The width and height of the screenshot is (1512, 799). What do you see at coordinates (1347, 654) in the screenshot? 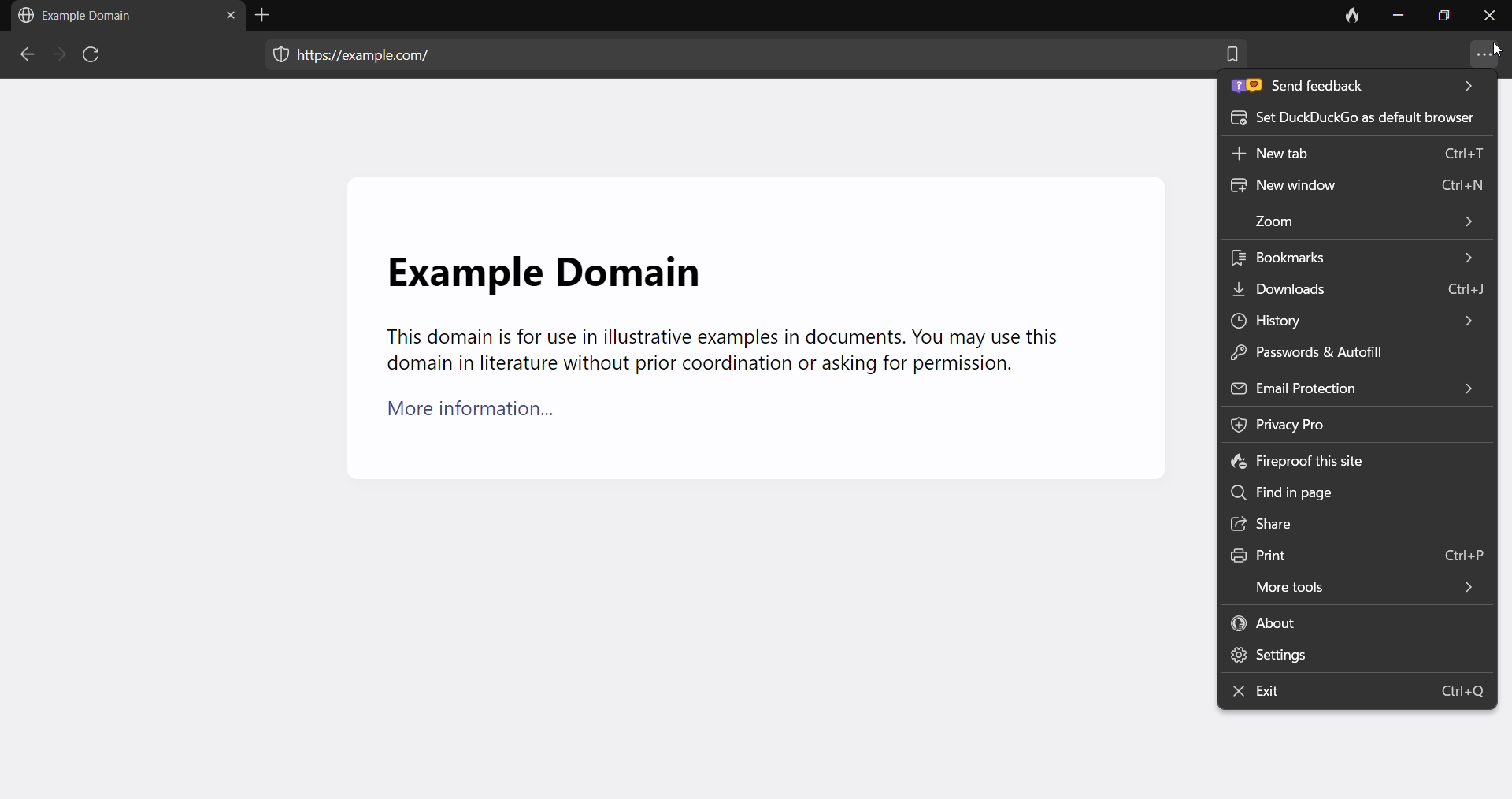
I see `settings` at bounding box center [1347, 654].